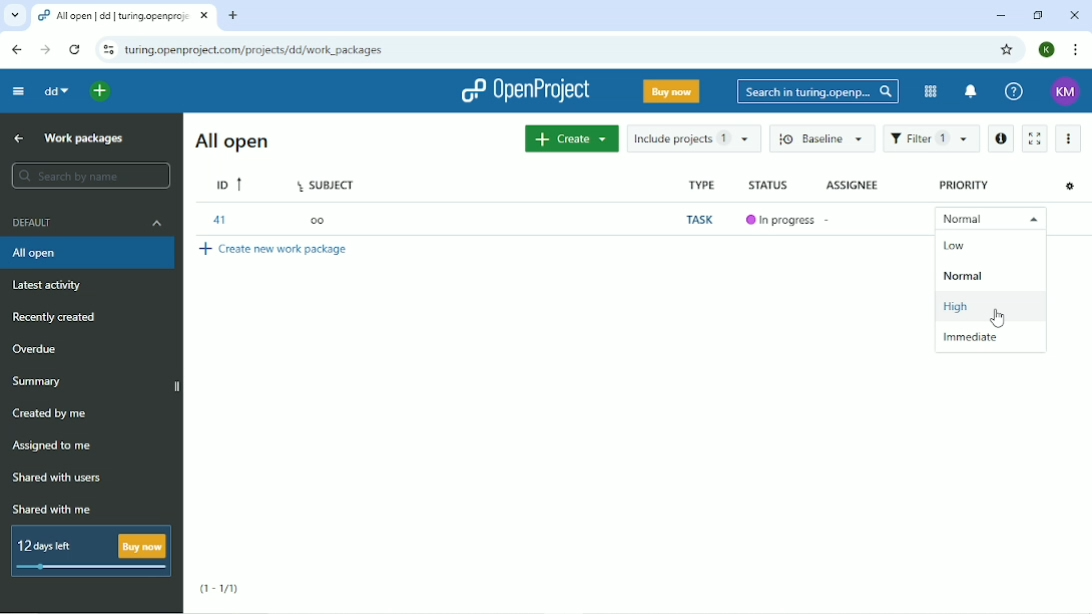 The height and width of the screenshot is (614, 1092). What do you see at coordinates (255, 52) in the screenshot?
I see `Site address` at bounding box center [255, 52].